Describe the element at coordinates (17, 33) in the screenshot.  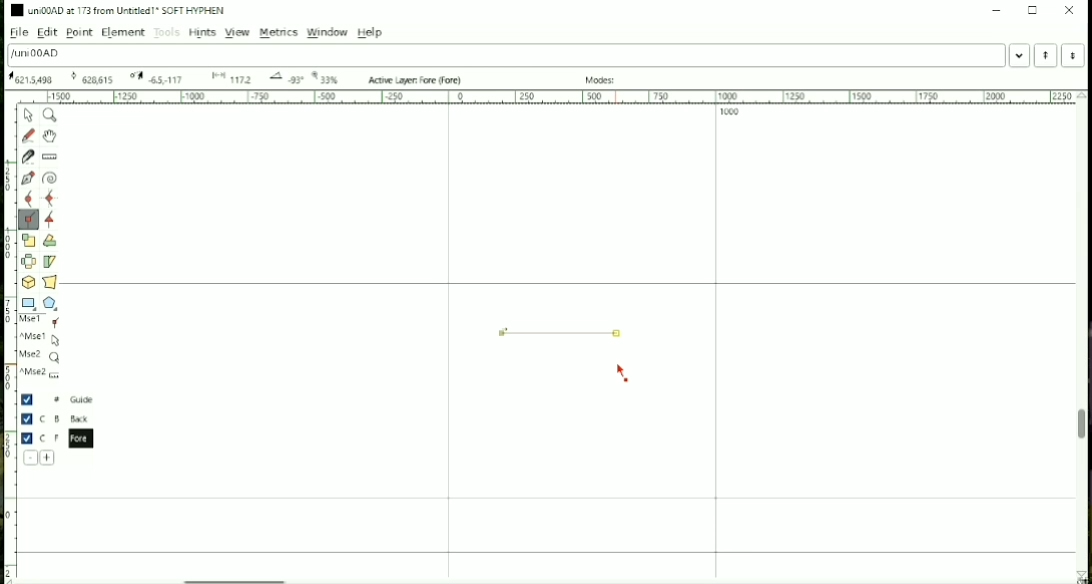
I see `File` at that location.